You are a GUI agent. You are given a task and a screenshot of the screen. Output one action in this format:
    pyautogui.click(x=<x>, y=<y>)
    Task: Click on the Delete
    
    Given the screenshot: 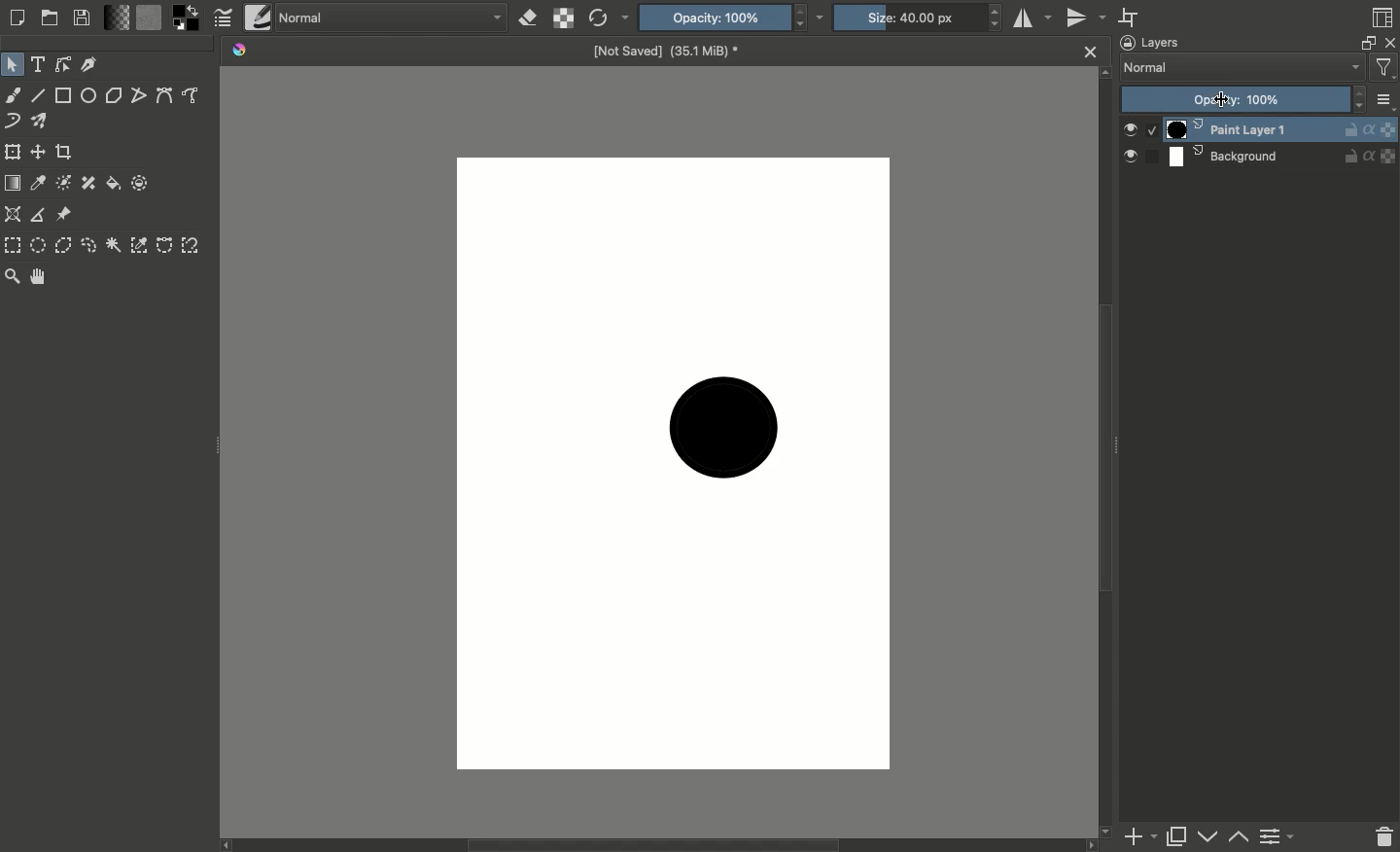 What is the action you would take?
    pyautogui.click(x=1382, y=837)
    